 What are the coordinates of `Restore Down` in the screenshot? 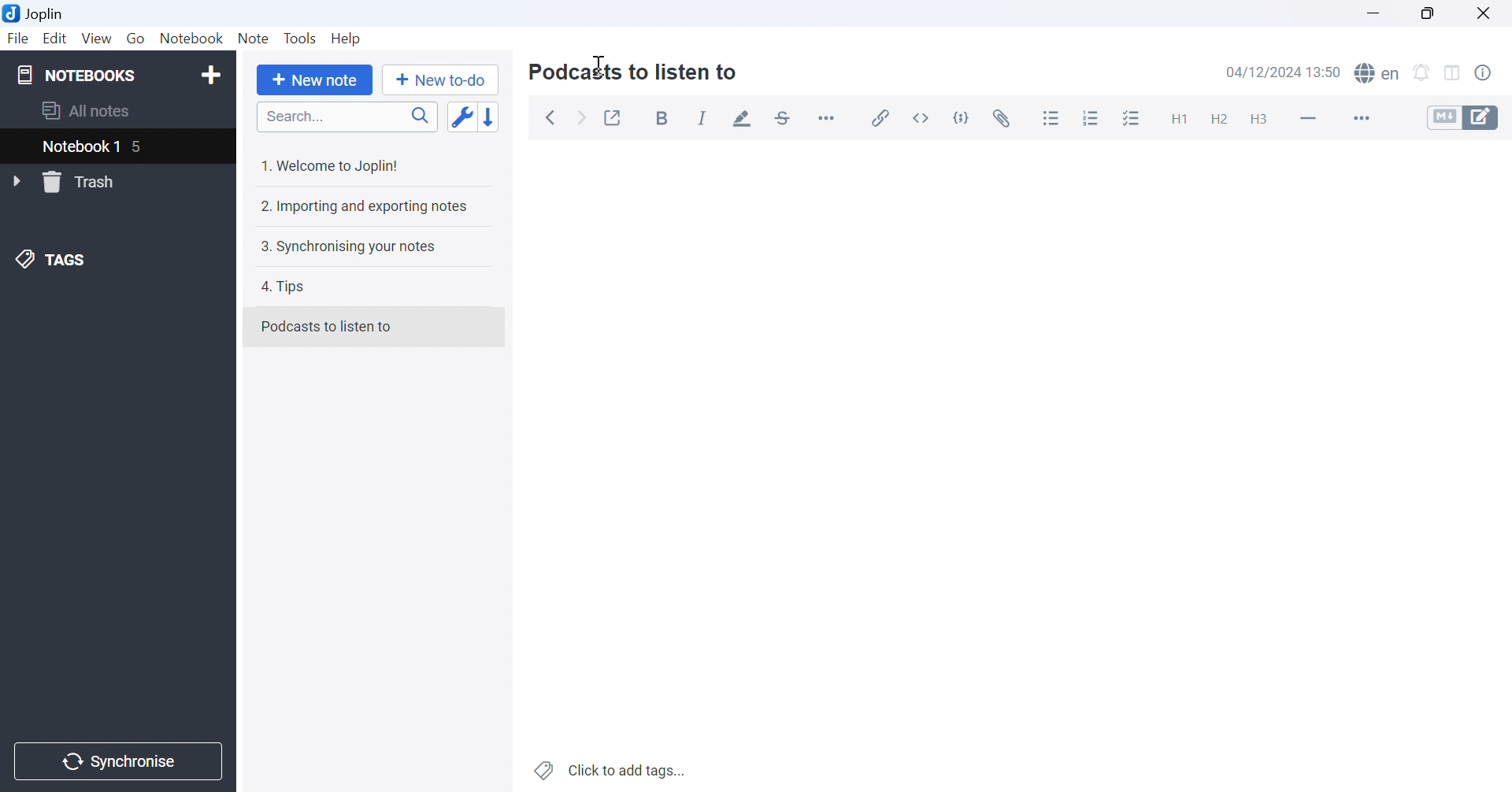 It's located at (1425, 12).